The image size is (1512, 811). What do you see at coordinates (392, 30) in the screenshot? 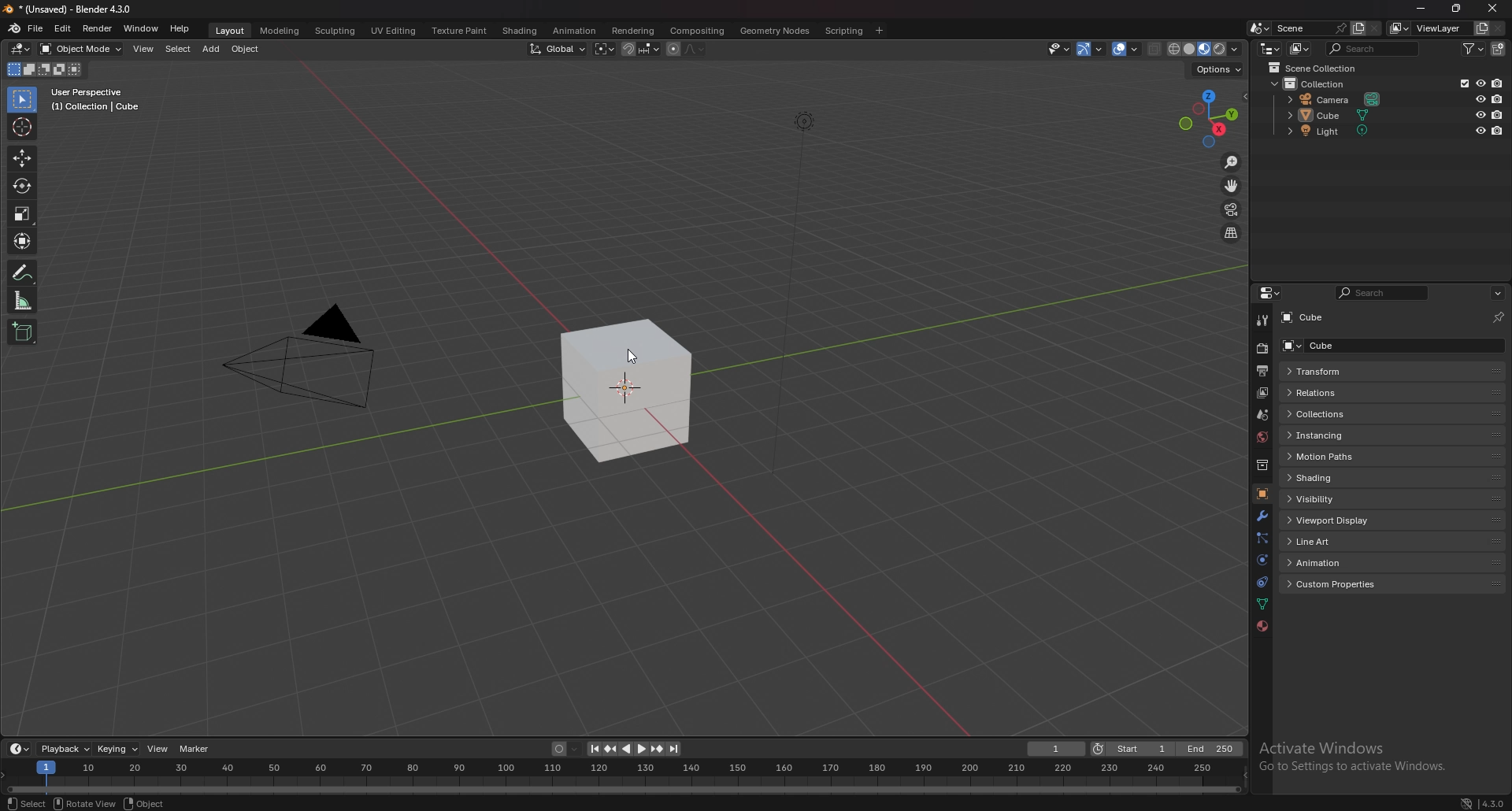
I see `uv editing` at bounding box center [392, 30].